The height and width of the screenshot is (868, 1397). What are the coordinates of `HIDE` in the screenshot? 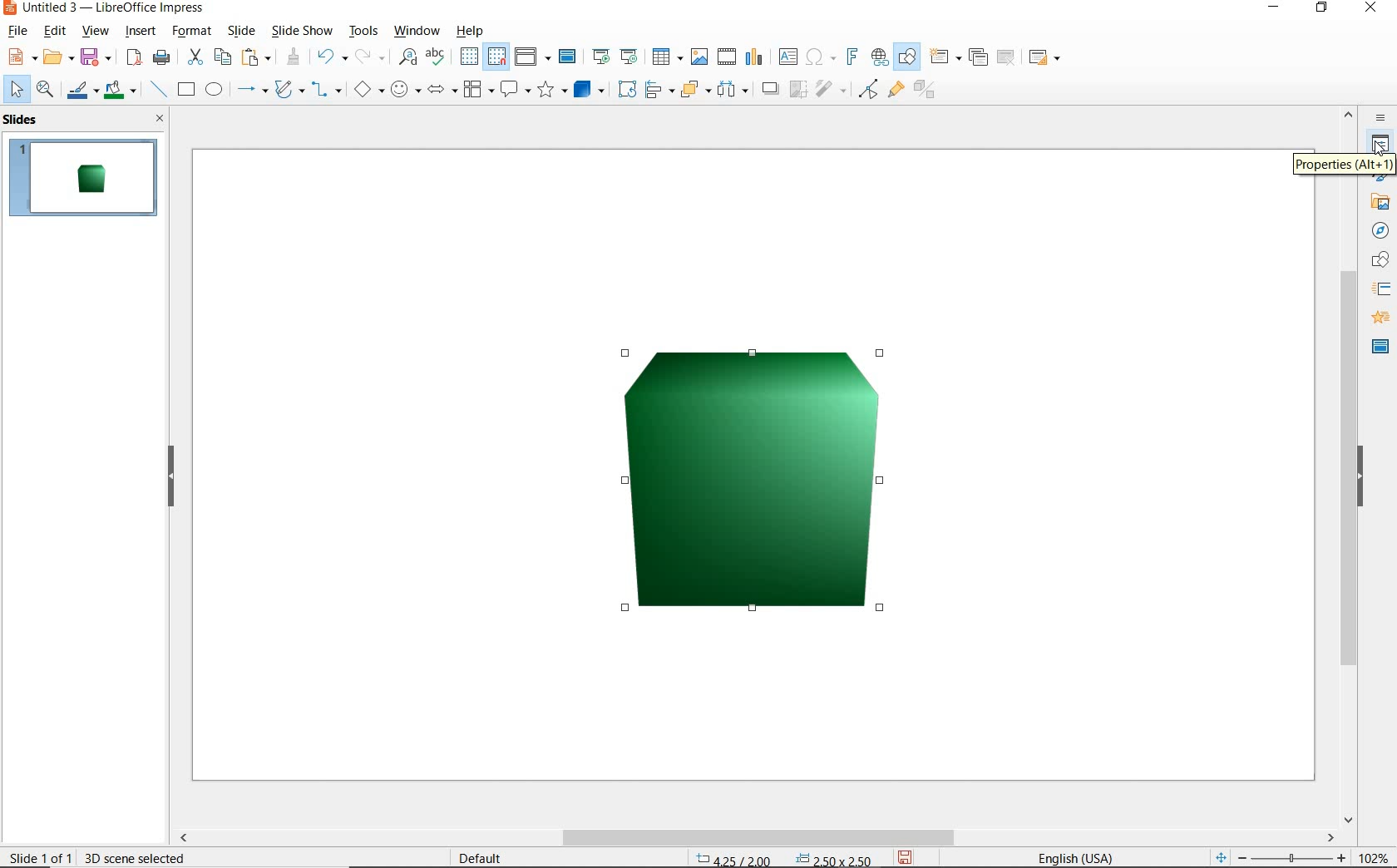 It's located at (170, 477).